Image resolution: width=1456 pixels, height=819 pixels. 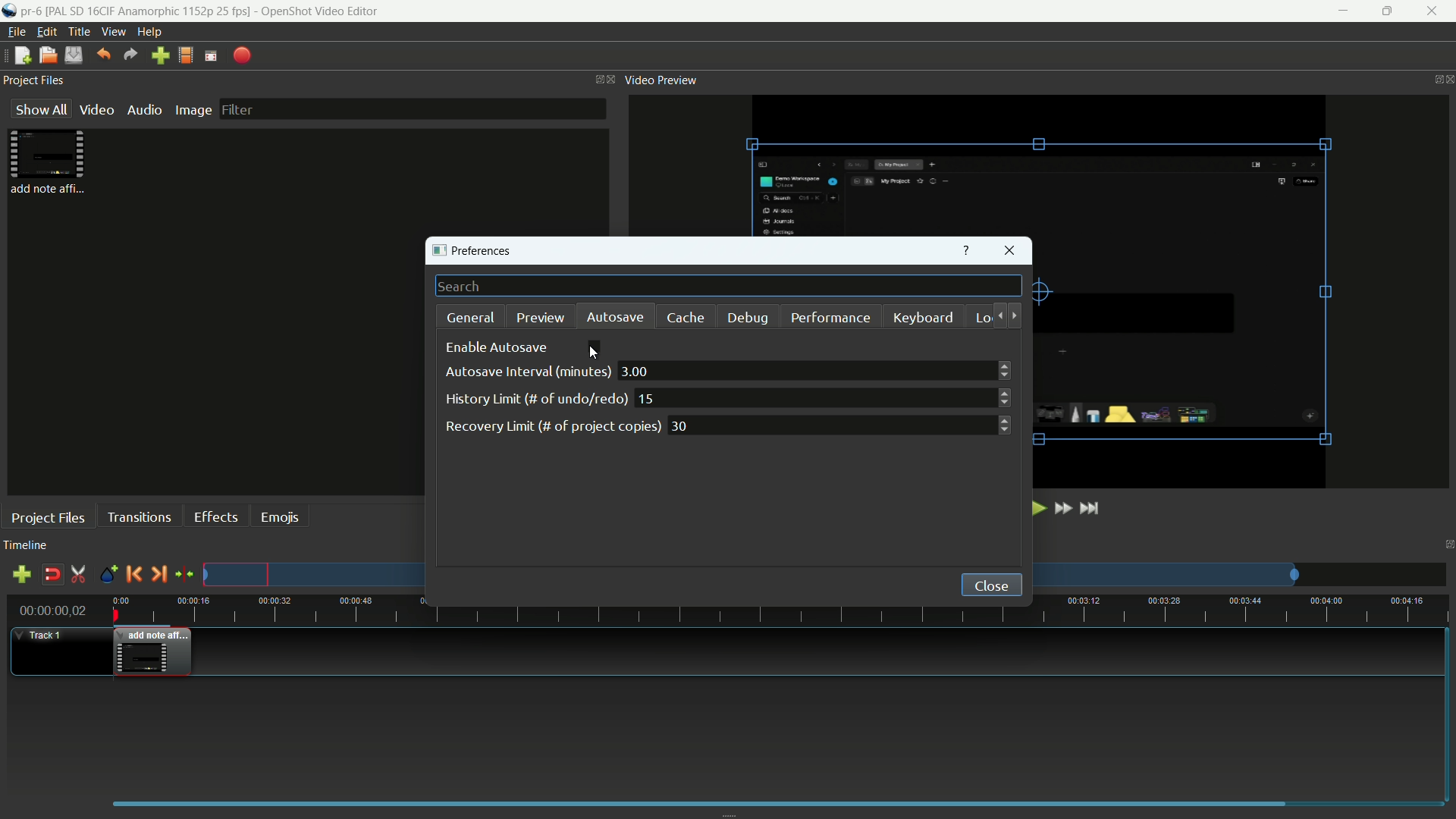 I want to click on help menu, so click(x=149, y=33).